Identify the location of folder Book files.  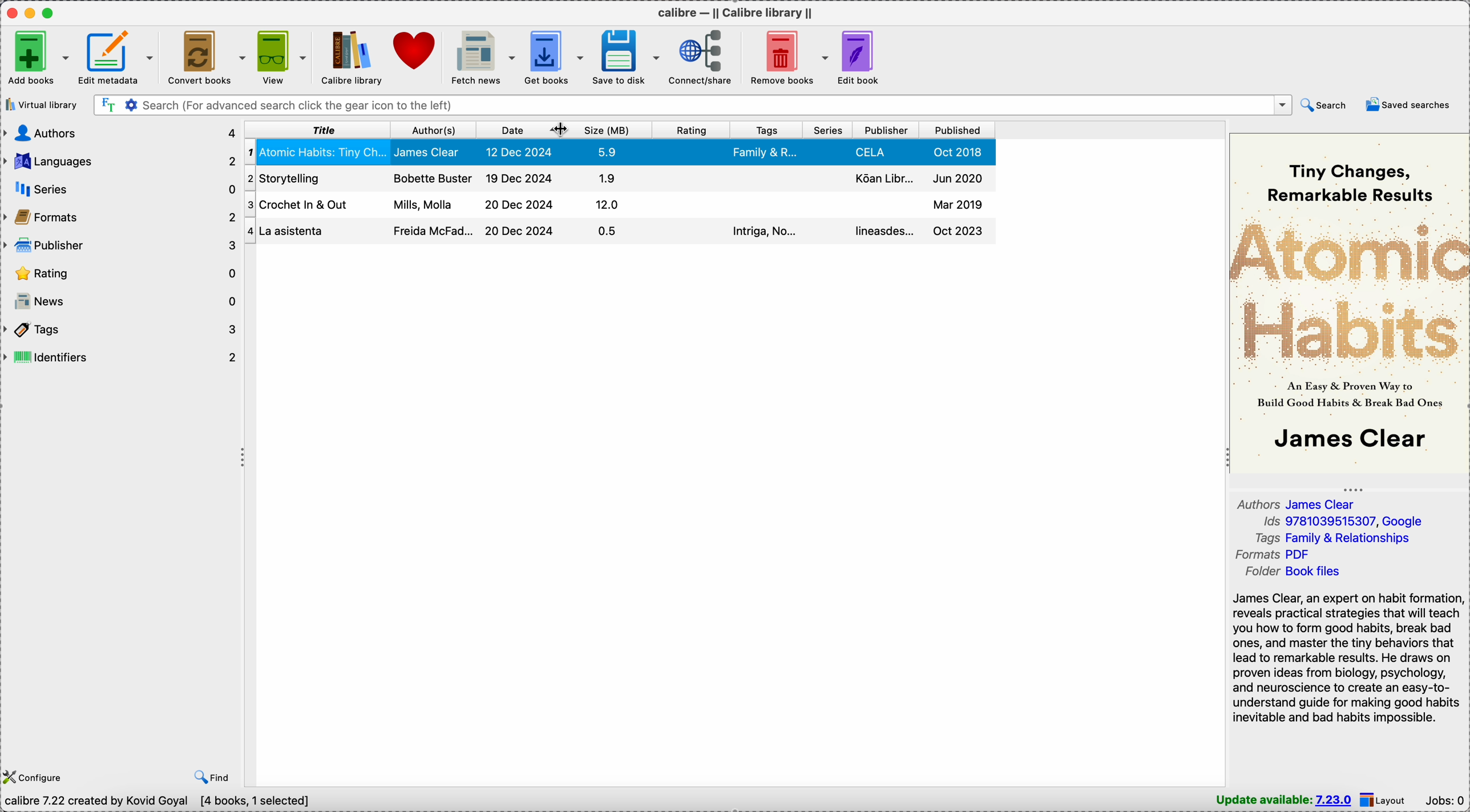
(1295, 571).